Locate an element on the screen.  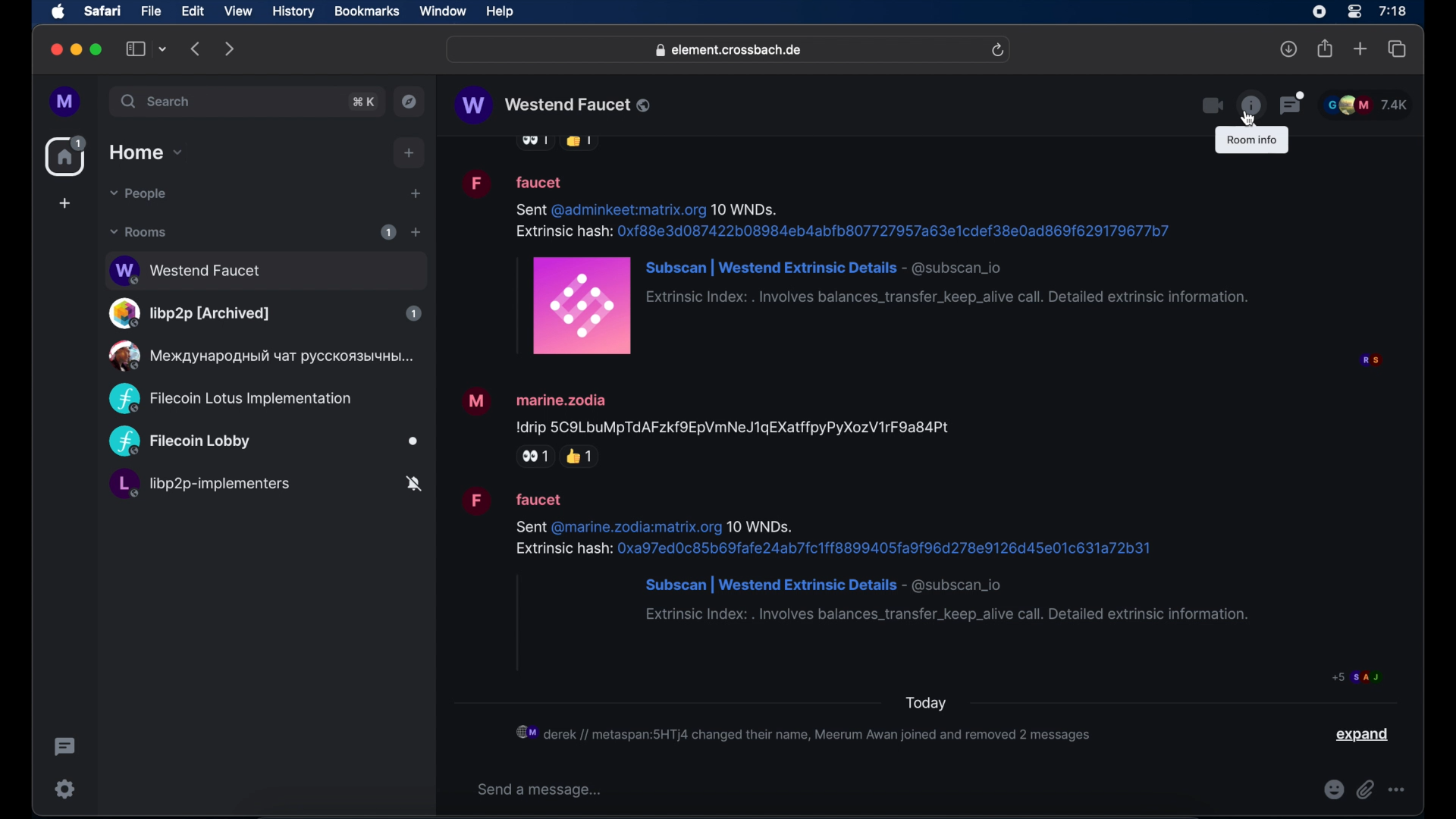
share is located at coordinates (1326, 49).